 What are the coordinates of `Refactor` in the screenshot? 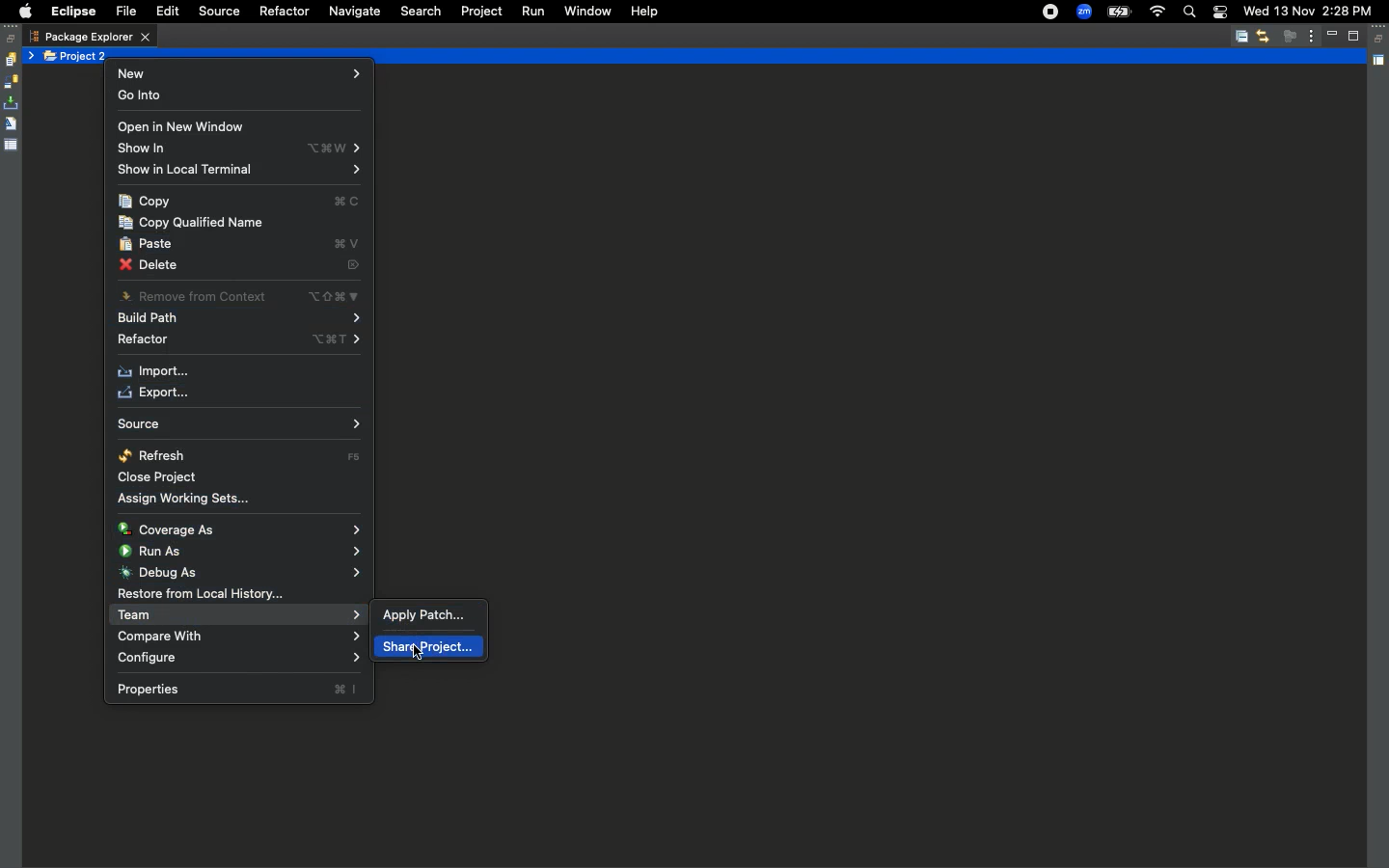 It's located at (283, 12).